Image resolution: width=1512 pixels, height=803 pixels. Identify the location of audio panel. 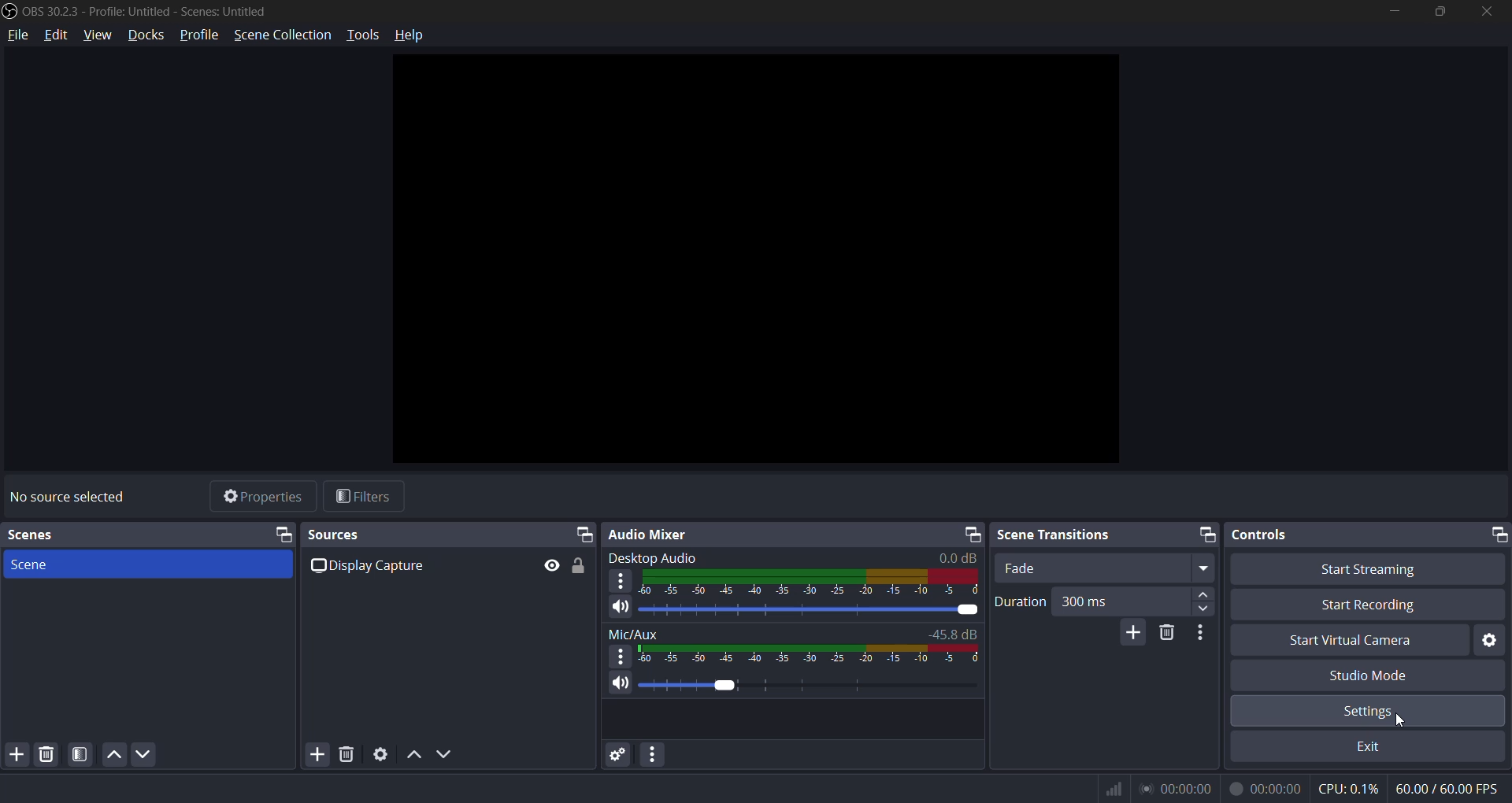
(812, 582).